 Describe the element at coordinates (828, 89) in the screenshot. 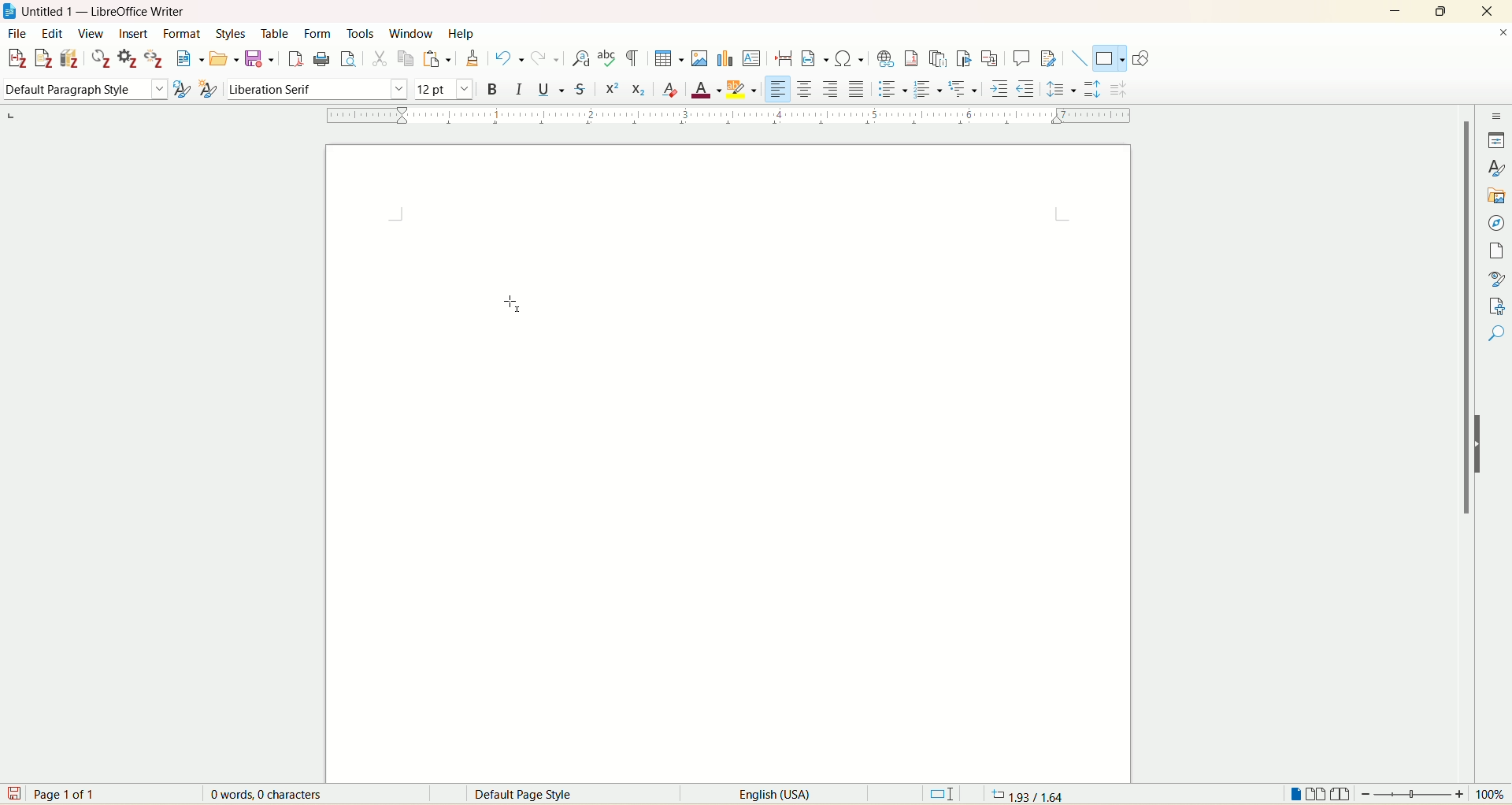

I see `align right` at that location.